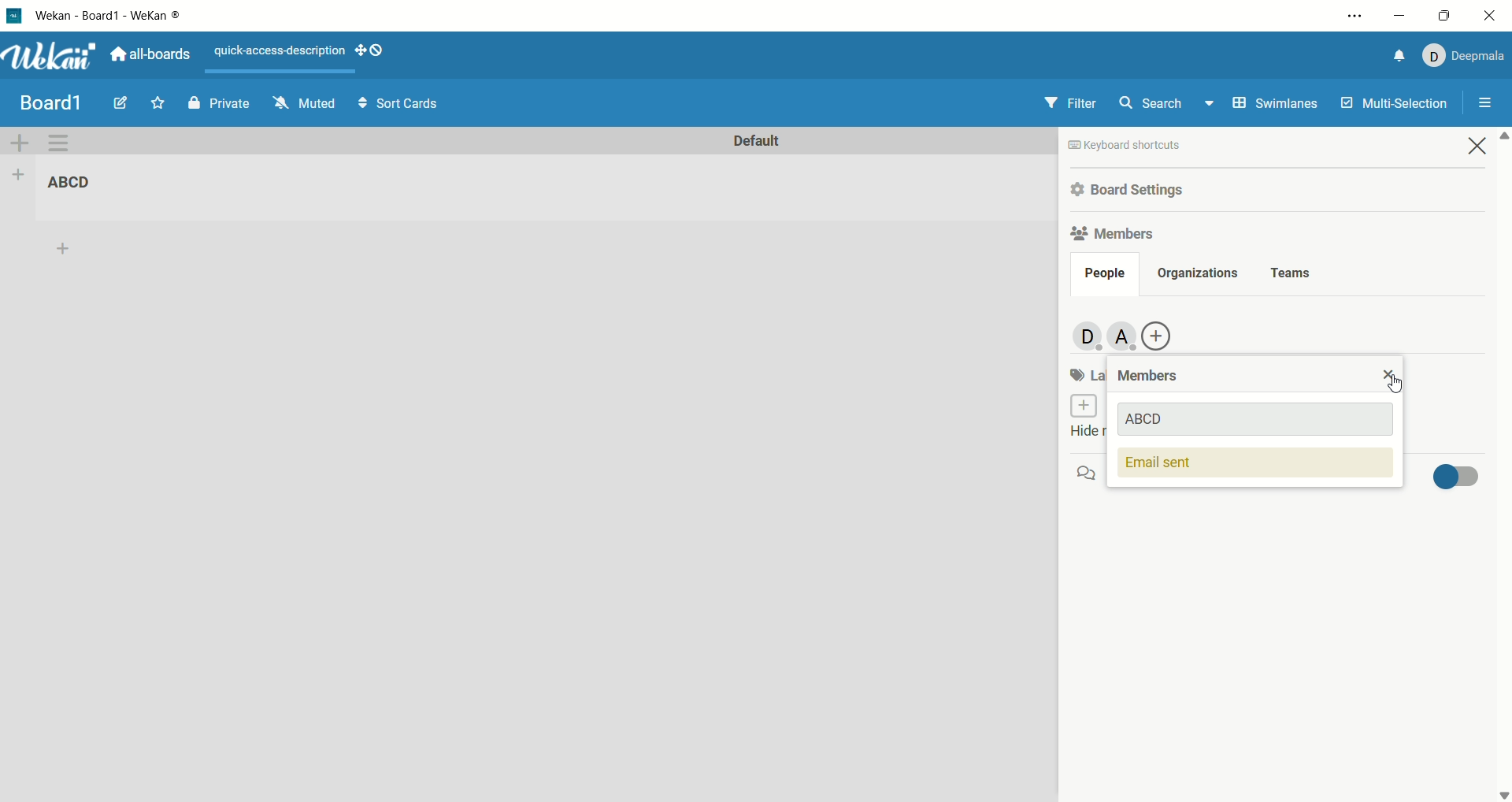 This screenshot has height=802, width=1512. I want to click on text, so click(280, 51).